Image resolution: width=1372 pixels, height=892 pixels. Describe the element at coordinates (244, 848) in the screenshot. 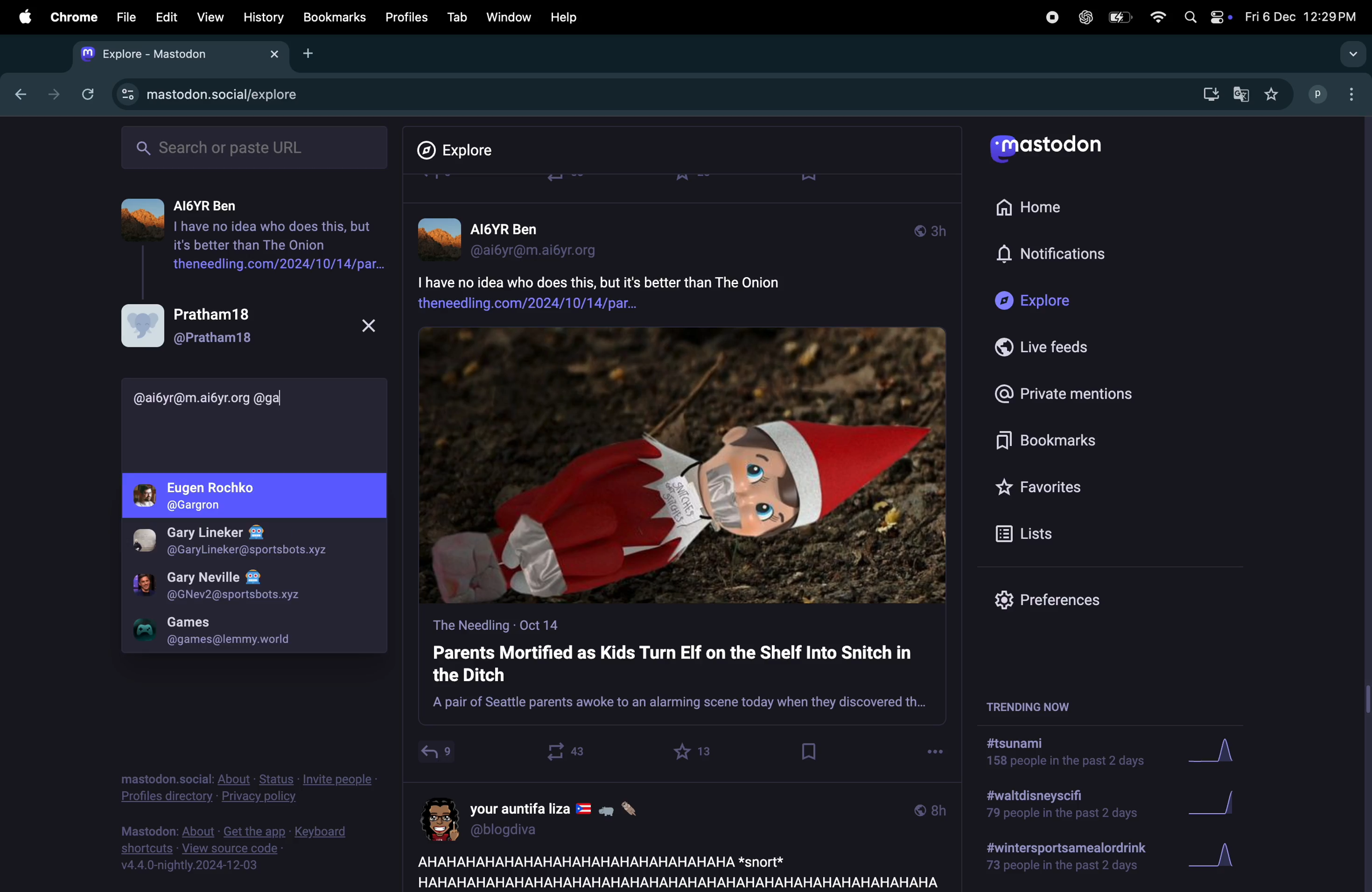

I see `view source code` at that location.